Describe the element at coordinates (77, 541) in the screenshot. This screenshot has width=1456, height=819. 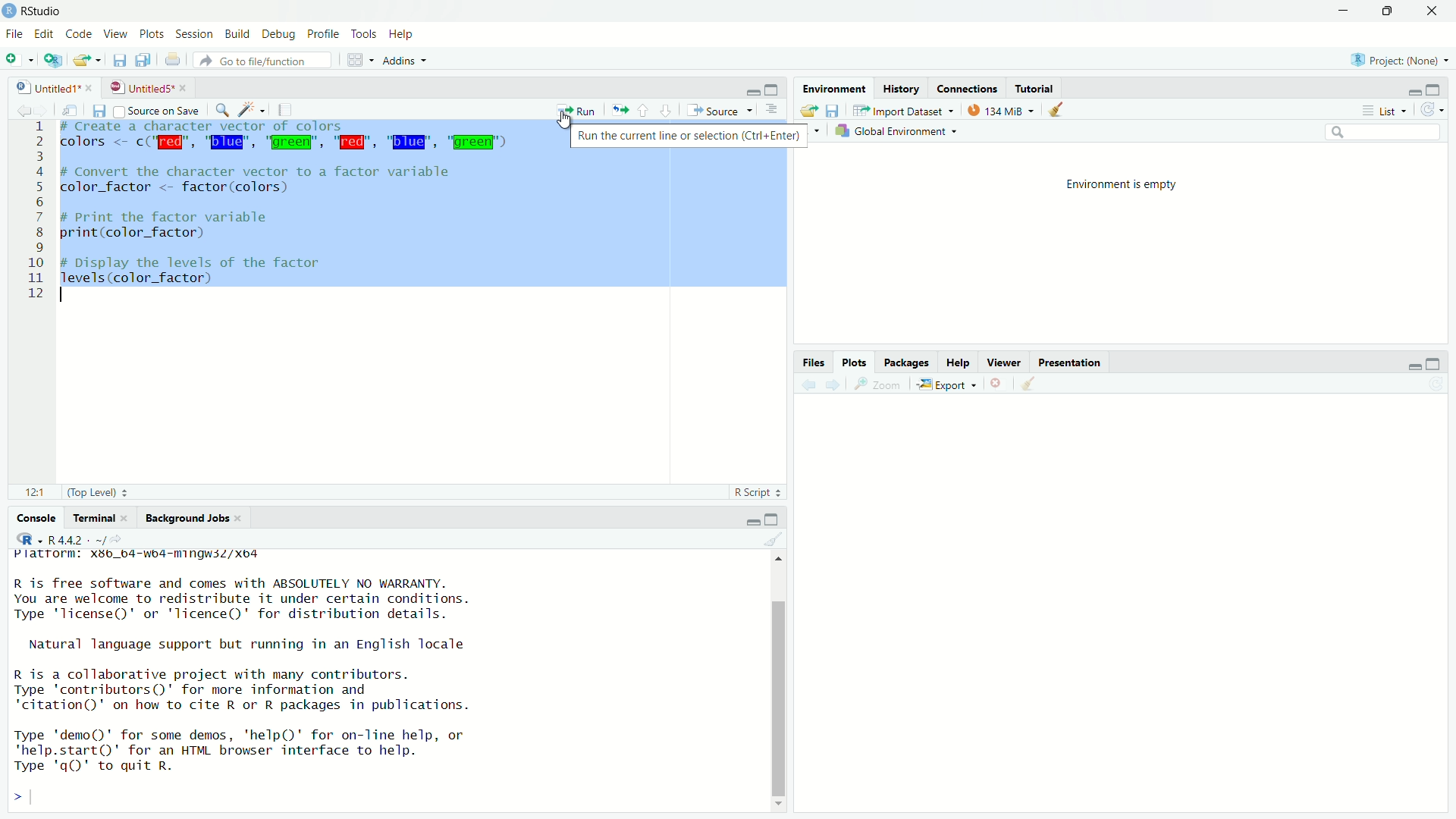
I see `R 4.4.2 . ~/` at that location.